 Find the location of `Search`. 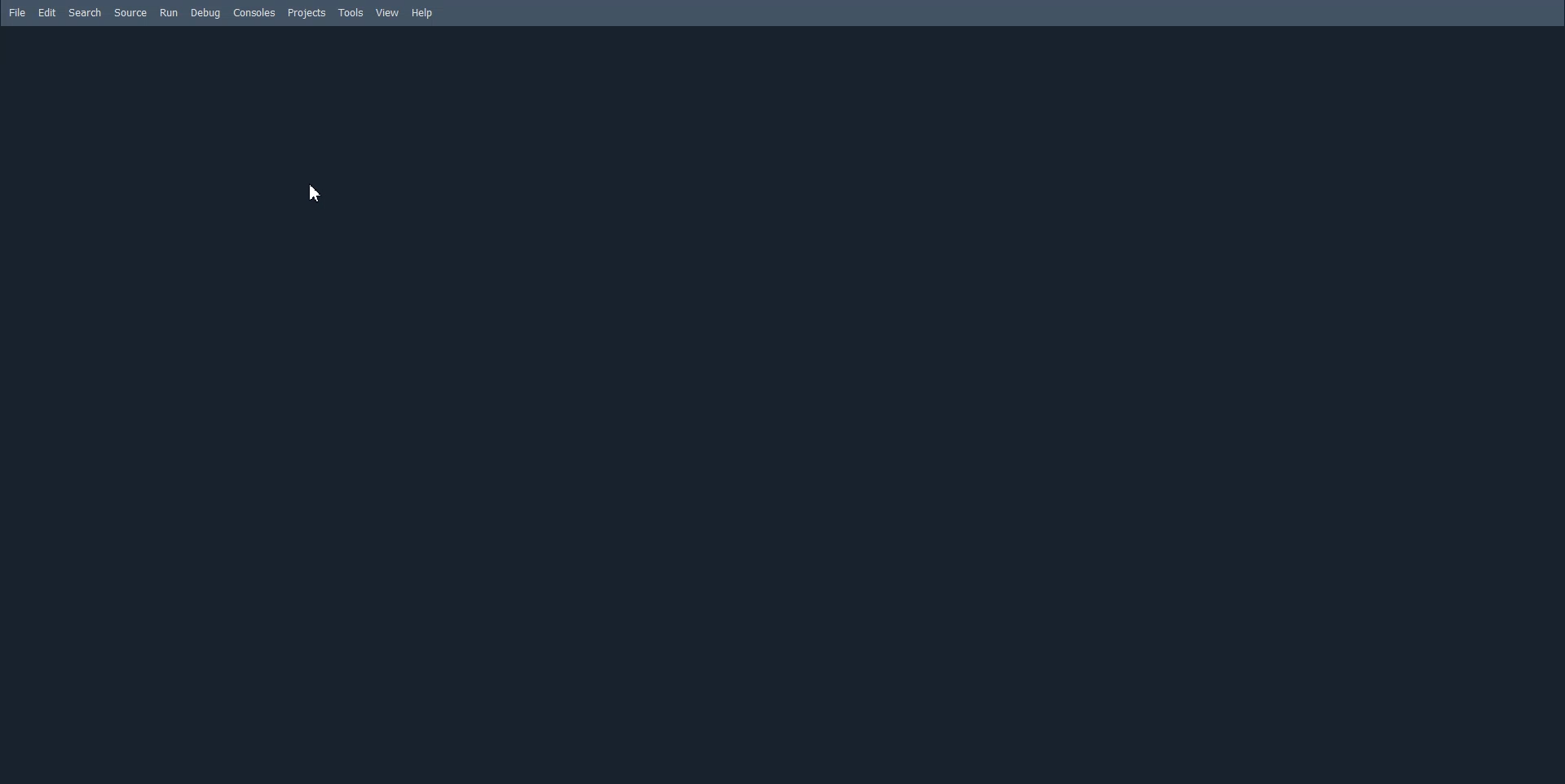

Search is located at coordinates (85, 12).